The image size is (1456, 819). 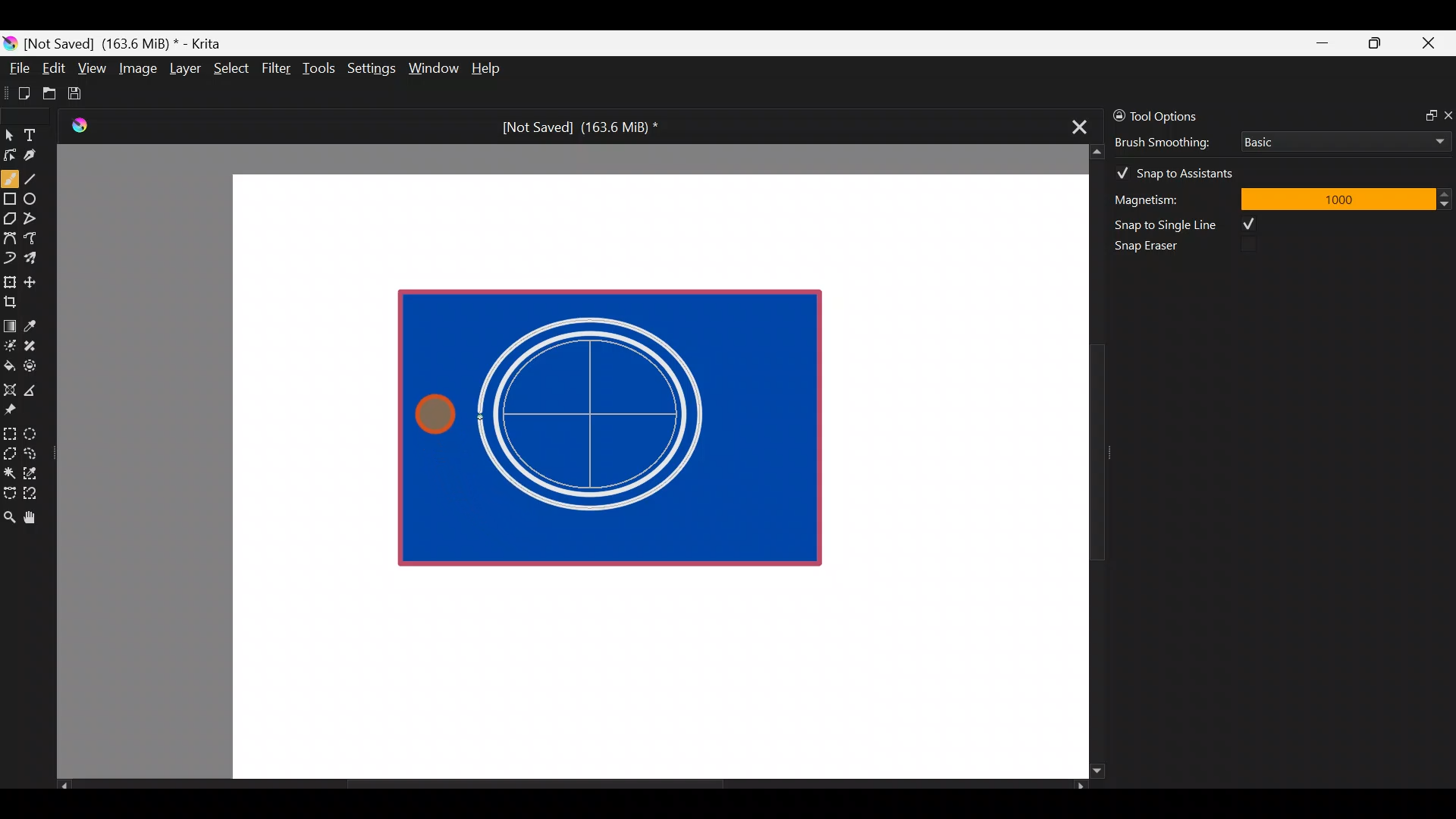 What do you see at coordinates (15, 301) in the screenshot?
I see `Crop the image to an area` at bounding box center [15, 301].